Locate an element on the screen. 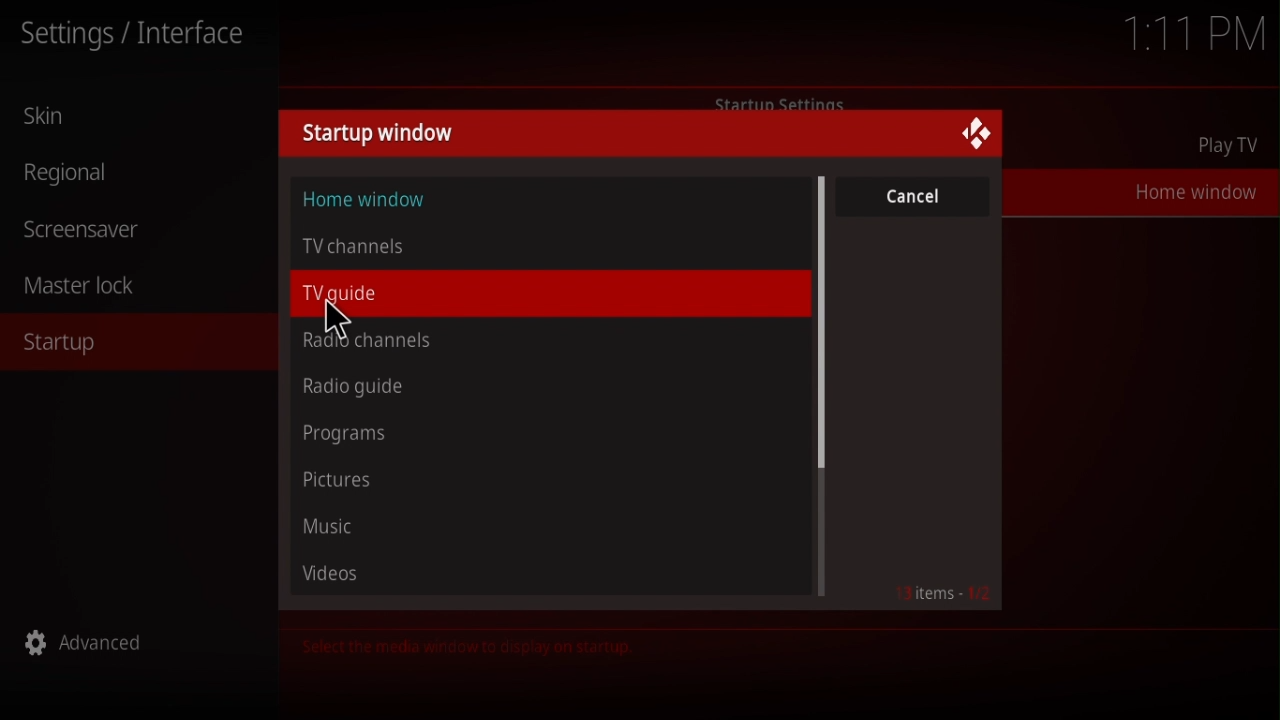 The width and height of the screenshot is (1280, 720). settings is located at coordinates (138, 36).